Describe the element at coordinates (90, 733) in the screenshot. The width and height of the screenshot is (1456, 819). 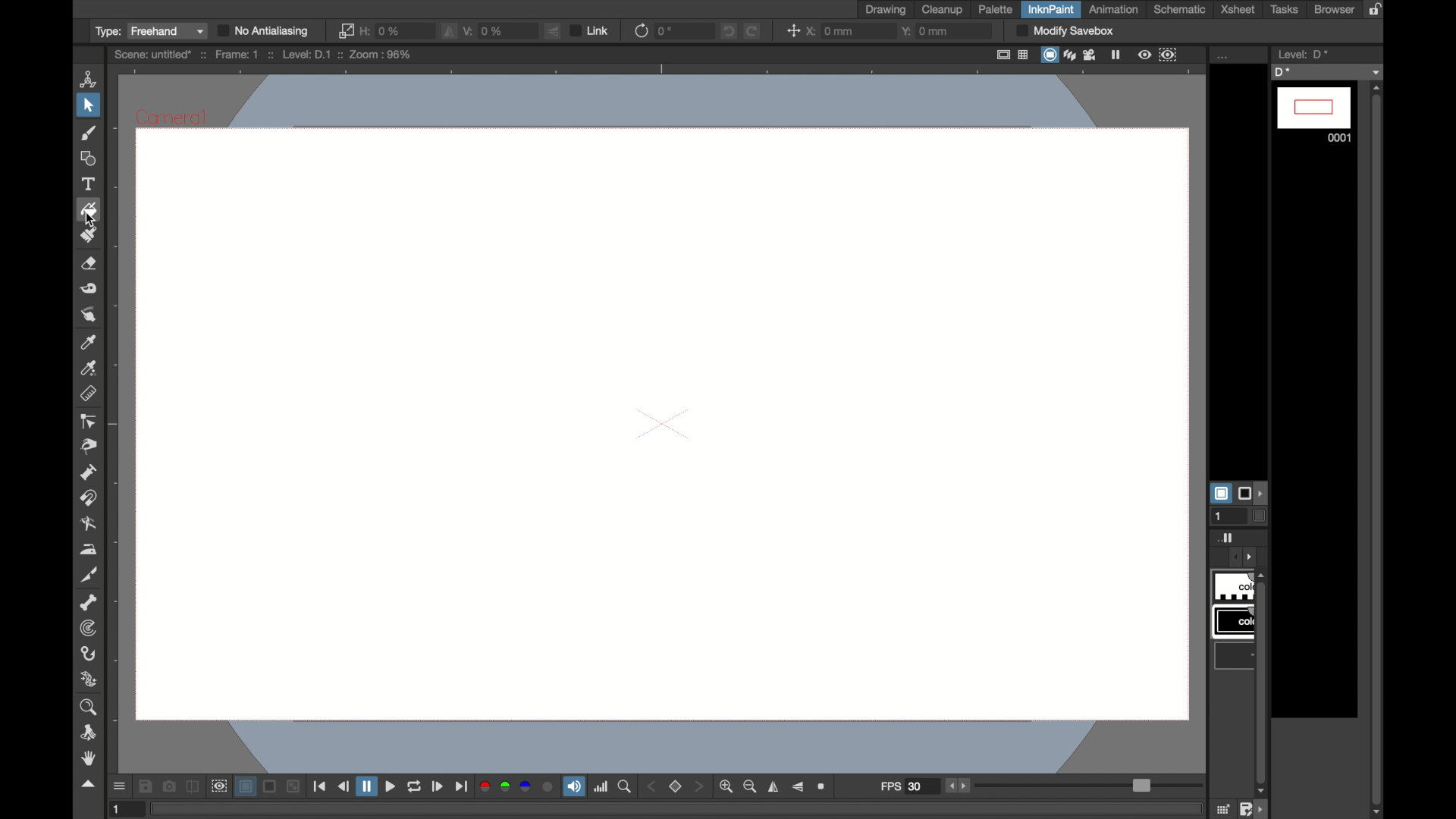
I see `rotate tool` at that location.